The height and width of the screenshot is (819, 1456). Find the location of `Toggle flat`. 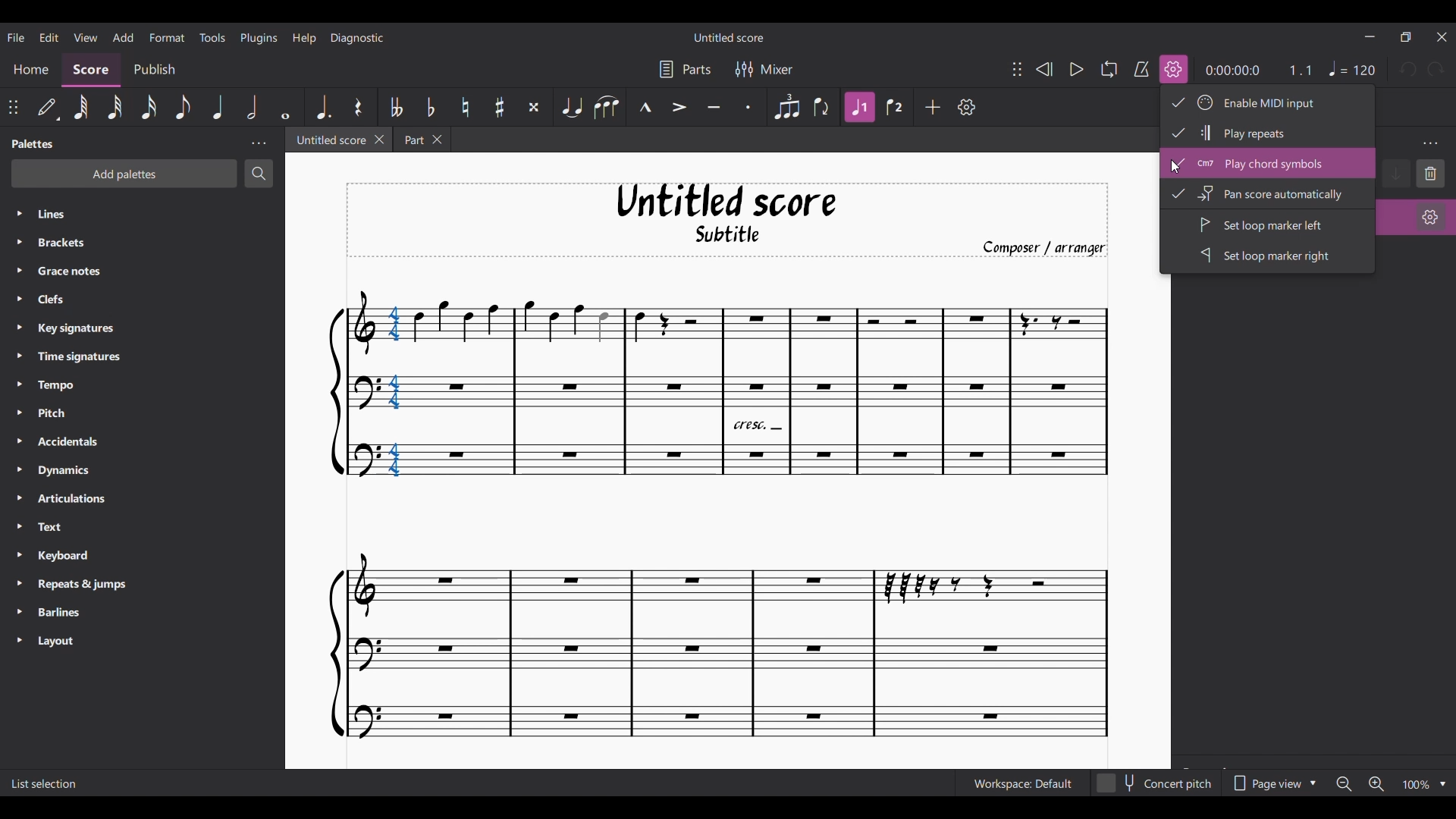

Toggle flat is located at coordinates (431, 106).